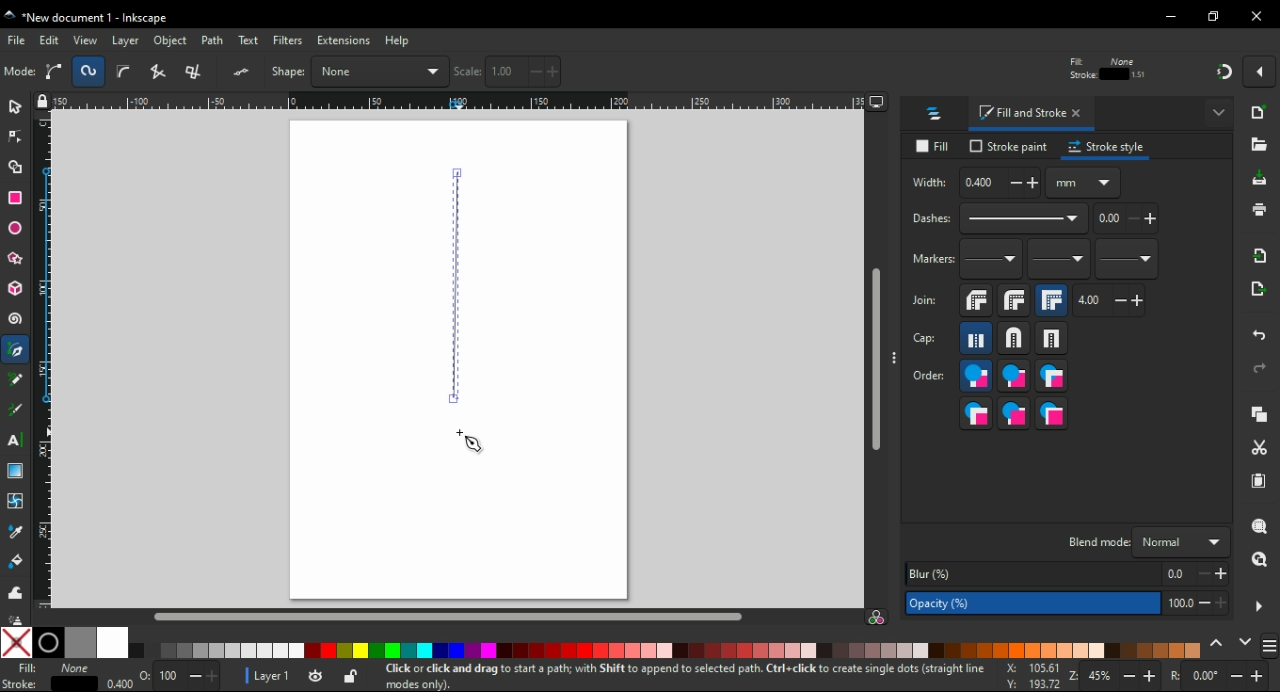 The width and height of the screenshot is (1280, 692). Describe the element at coordinates (1176, 70) in the screenshot. I see `move pattern along wit the objects` at that location.